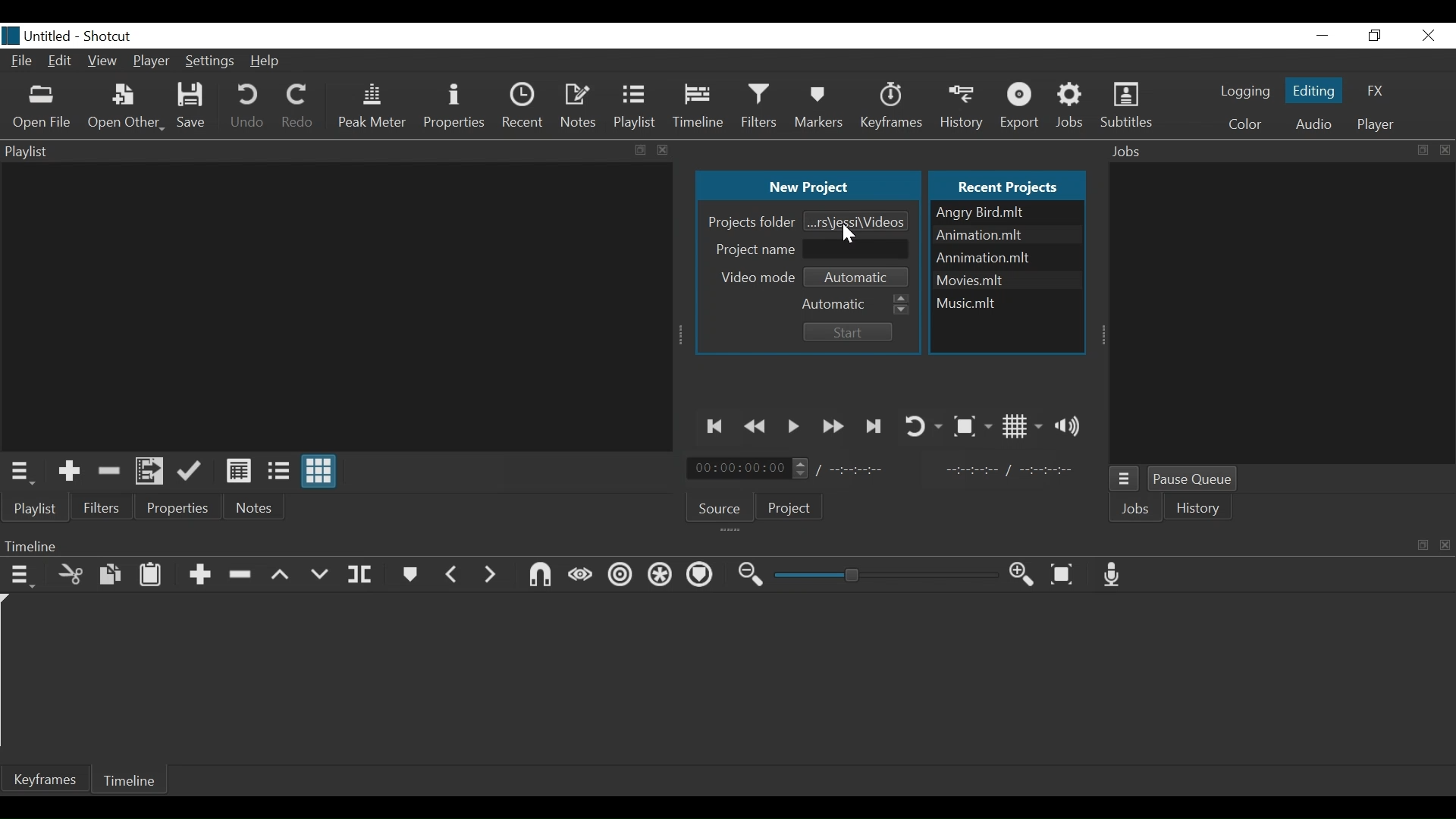 This screenshot has width=1456, height=819. I want to click on Current position, so click(752, 469).